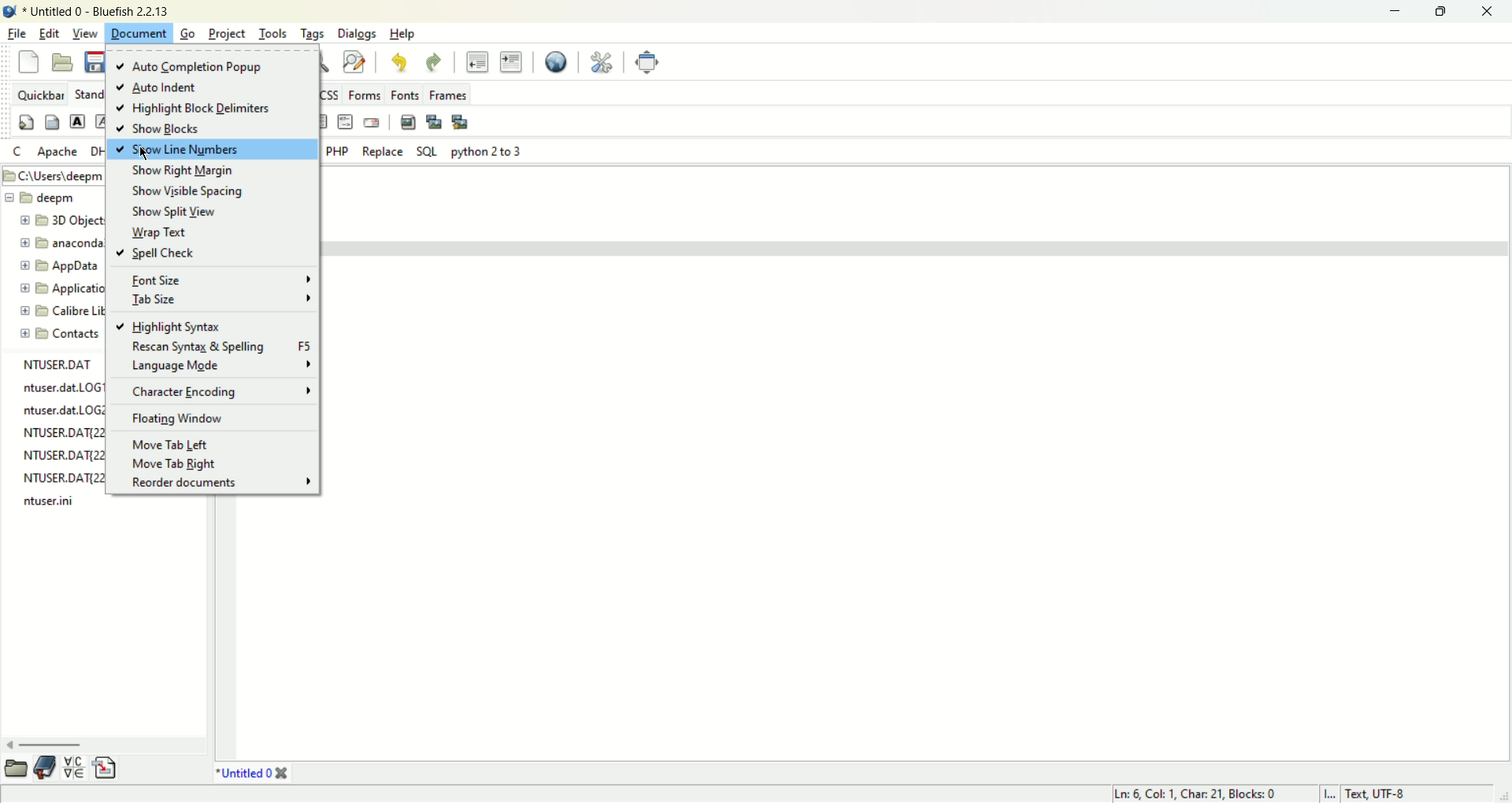 The height and width of the screenshot is (803, 1512). What do you see at coordinates (403, 64) in the screenshot?
I see `undo` at bounding box center [403, 64].